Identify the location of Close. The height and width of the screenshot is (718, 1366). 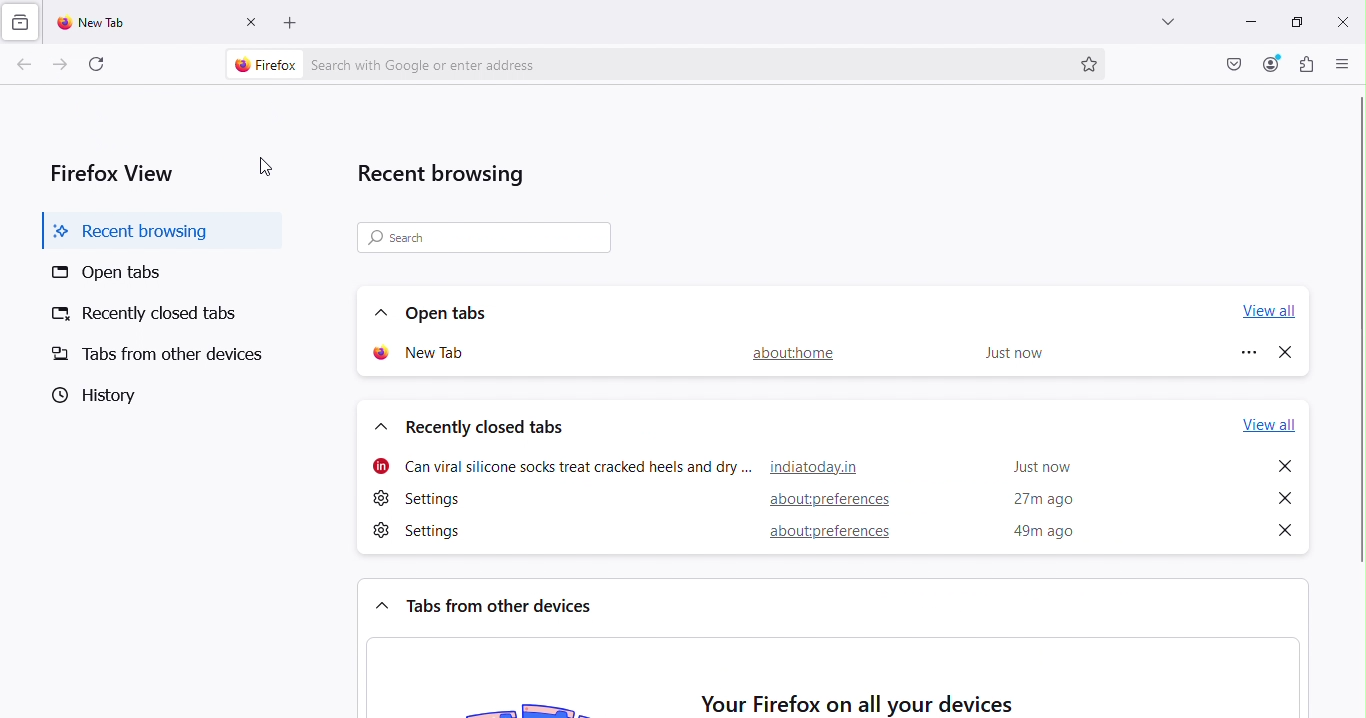
(1289, 466).